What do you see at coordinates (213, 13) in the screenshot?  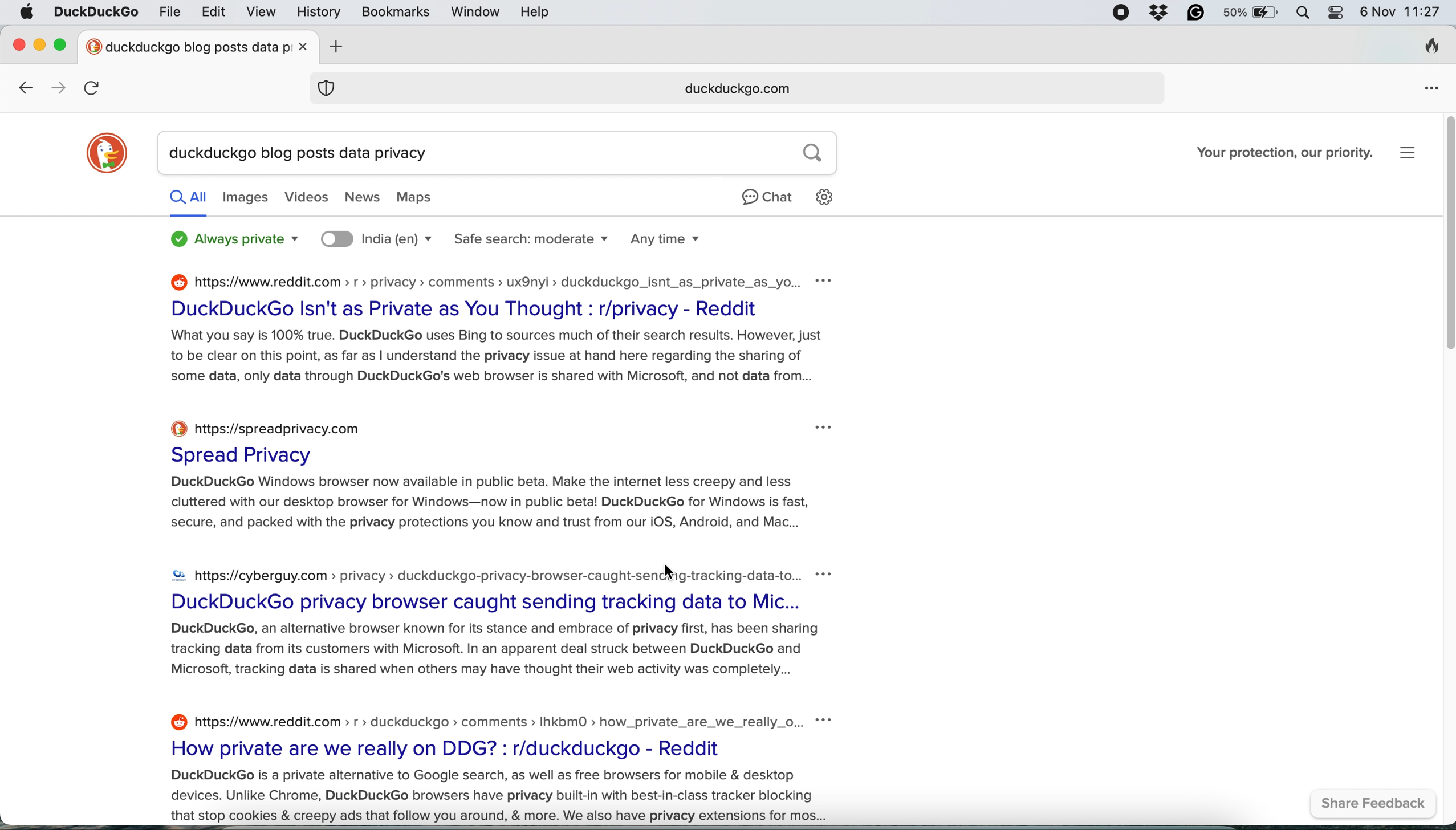 I see `edit` at bounding box center [213, 13].